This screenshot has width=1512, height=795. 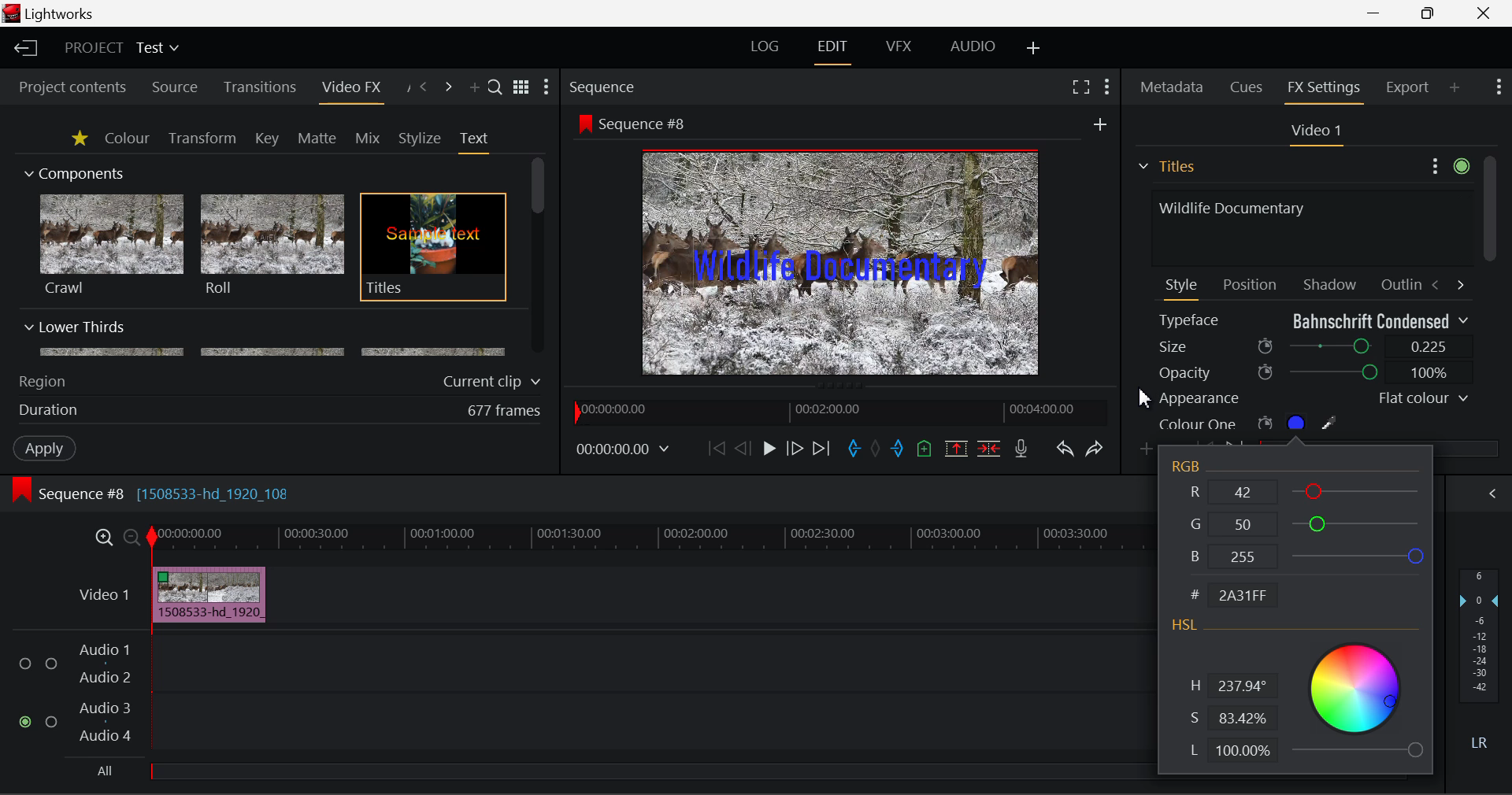 What do you see at coordinates (42, 382) in the screenshot?
I see `Region` at bounding box center [42, 382].